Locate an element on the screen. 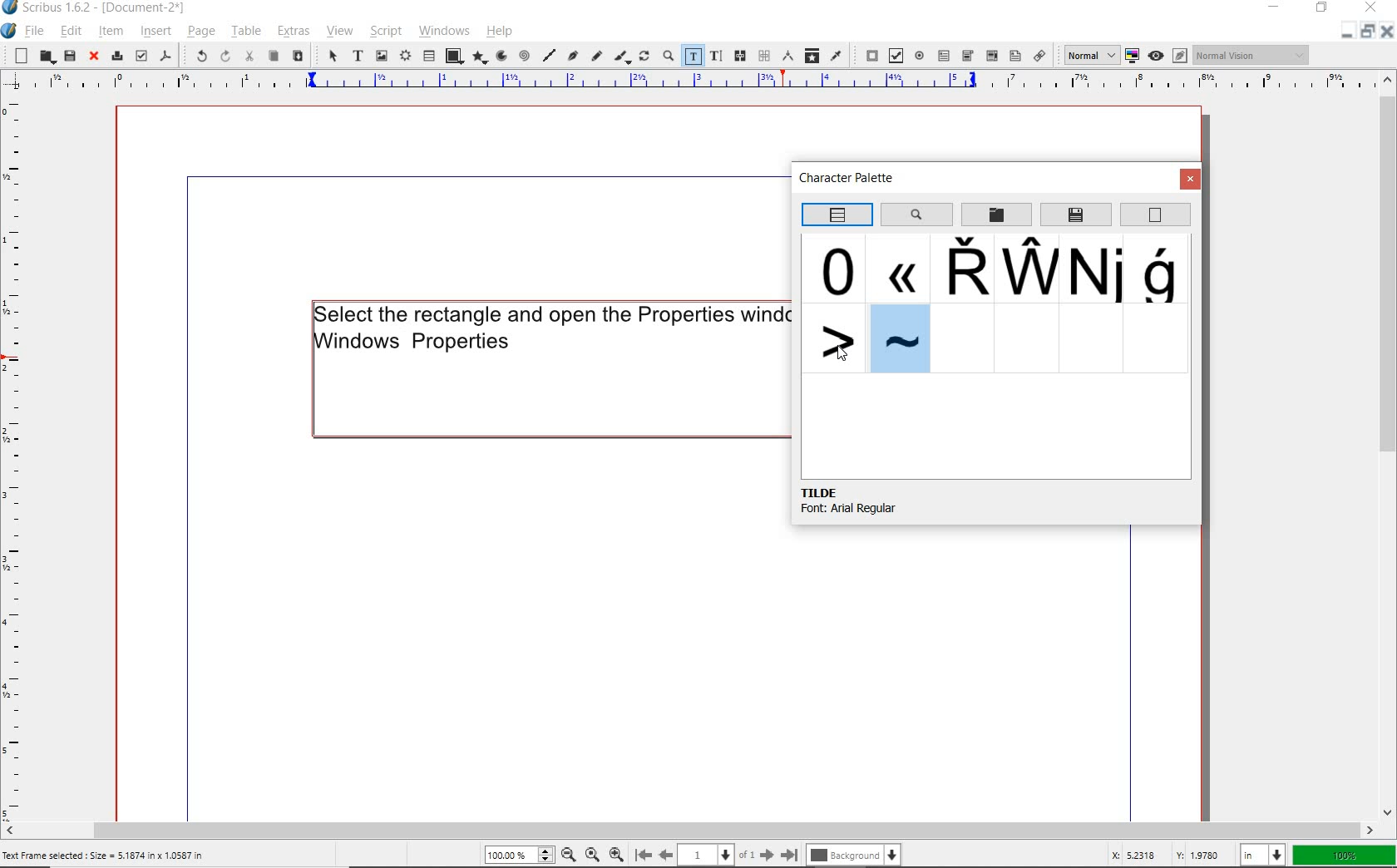 The width and height of the screenshot is (1397, 868). show/hide enhanced palette is located at coordinates (836, 215).